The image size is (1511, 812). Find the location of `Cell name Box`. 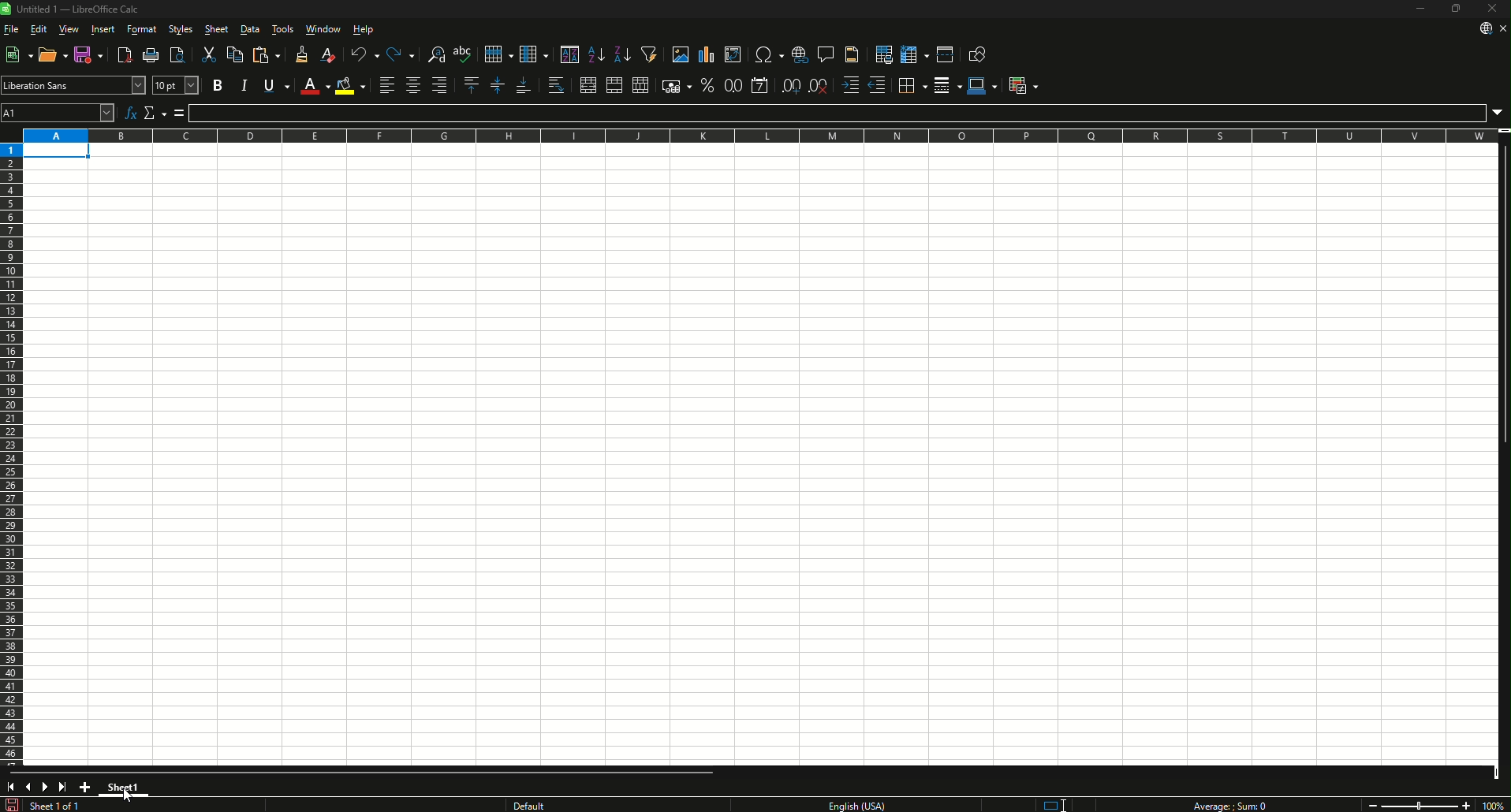

Cell name Box is located at coordinates (58, 113).